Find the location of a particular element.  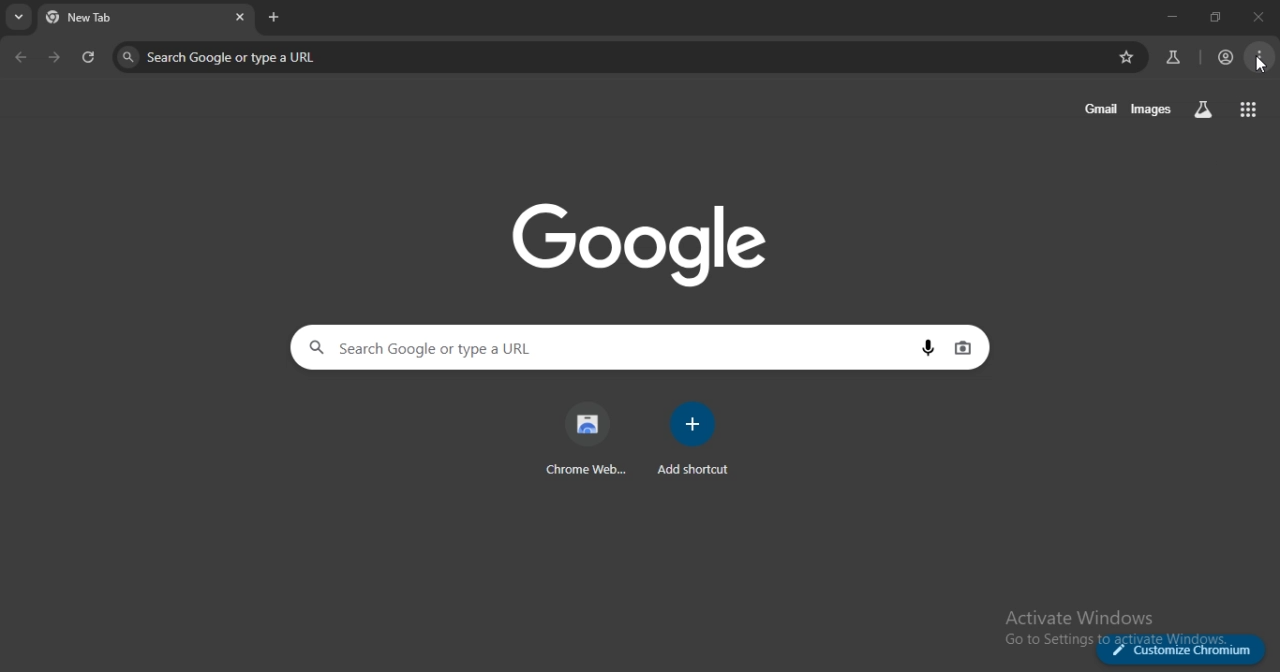

Search Google or type a URL is located at coordinates (610, 348).